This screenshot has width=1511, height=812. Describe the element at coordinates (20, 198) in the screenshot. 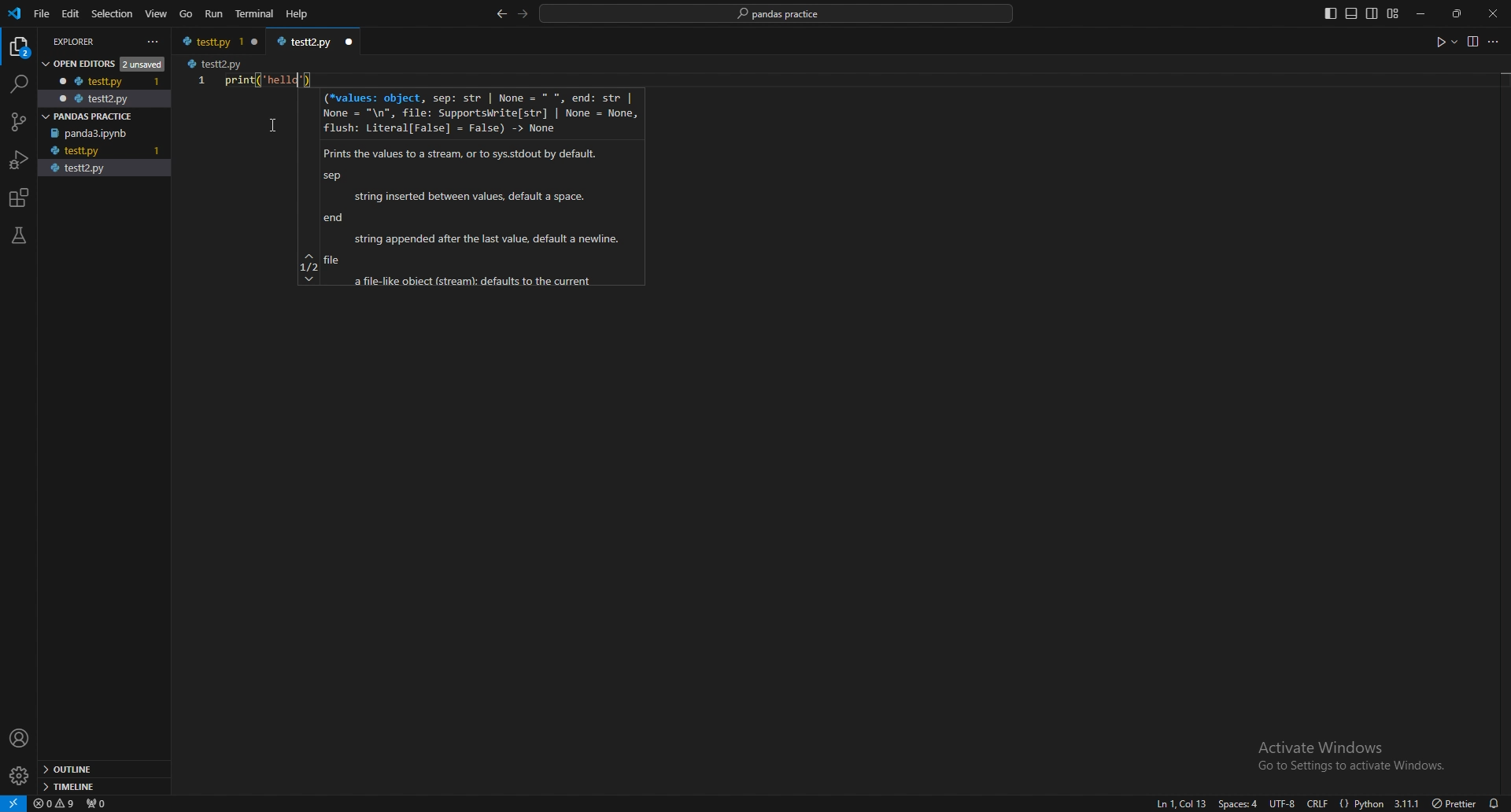

I see `extensions` at that location.